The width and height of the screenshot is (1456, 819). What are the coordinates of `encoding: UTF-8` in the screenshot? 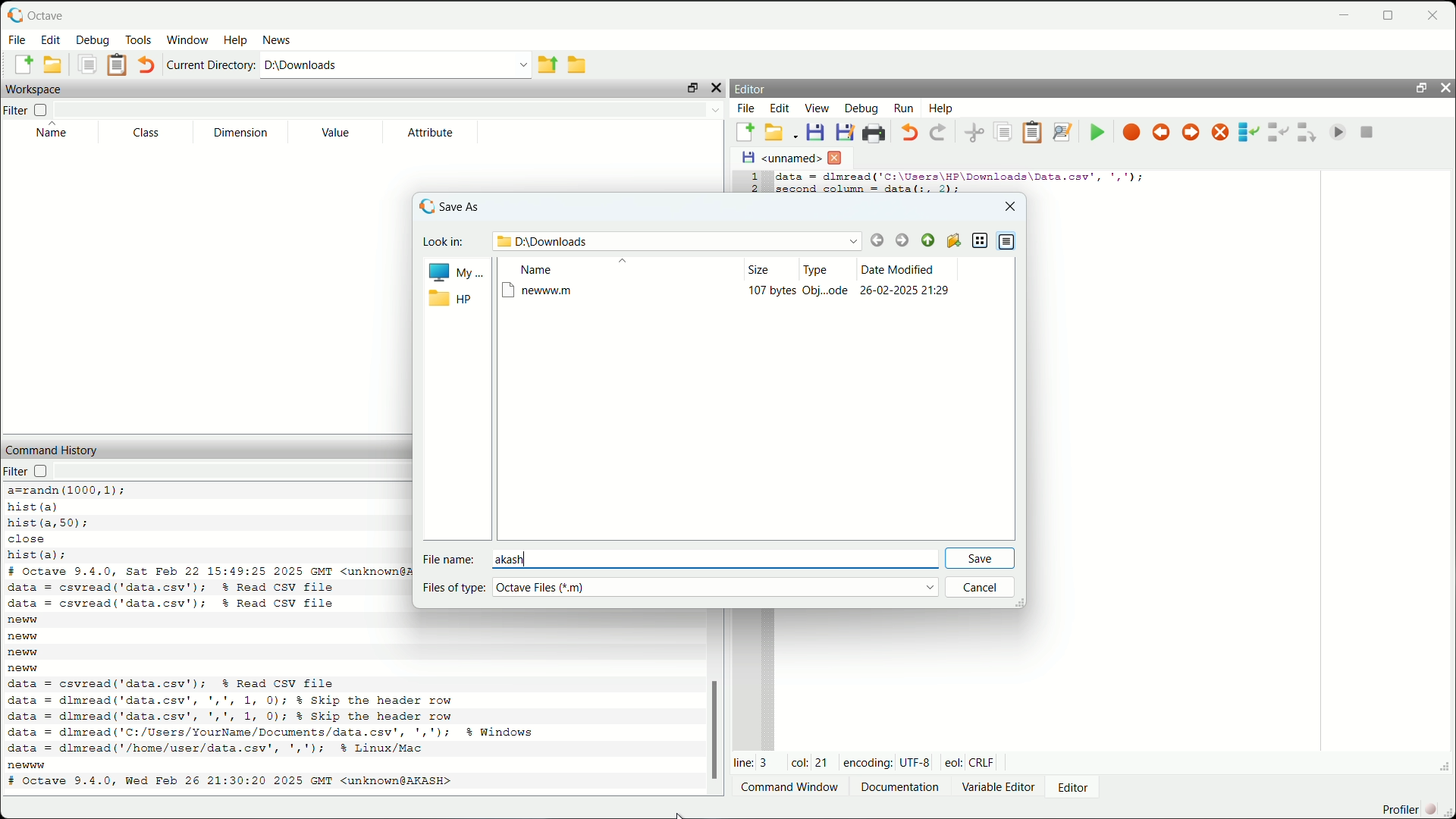 It's located at (887, 761).